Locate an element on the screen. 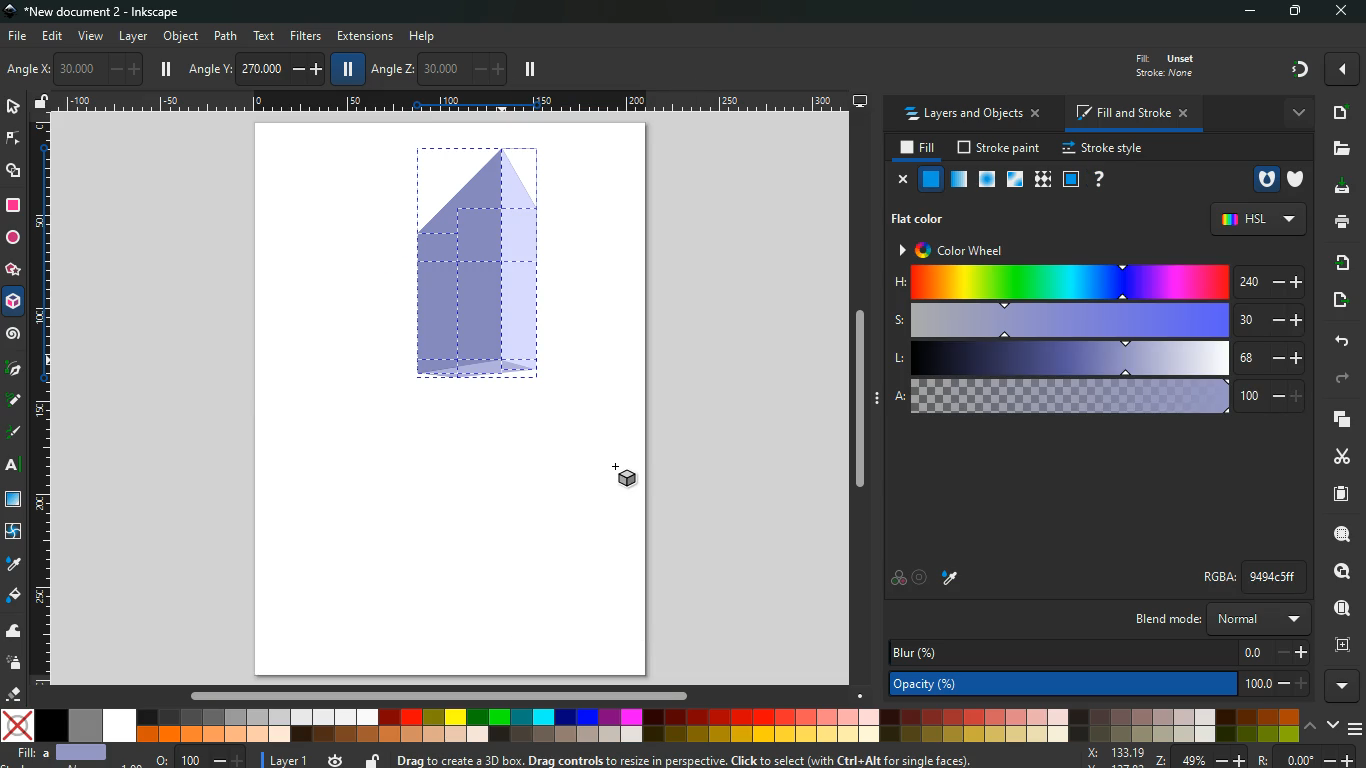  unlock is located at coordinates (372, 760).